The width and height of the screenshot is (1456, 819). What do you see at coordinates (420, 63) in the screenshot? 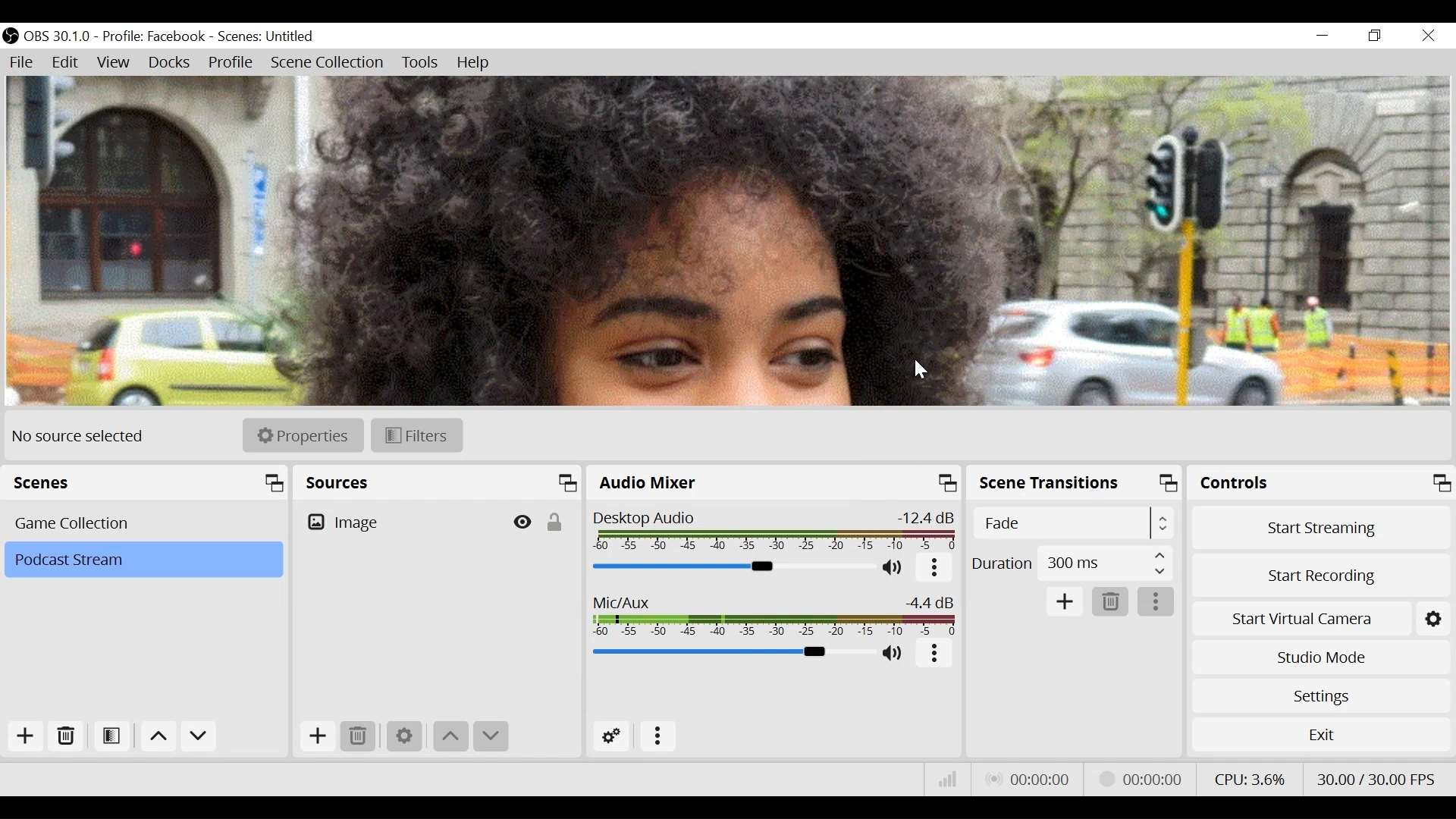
I see `Tools` at bounding box center [420, 63].